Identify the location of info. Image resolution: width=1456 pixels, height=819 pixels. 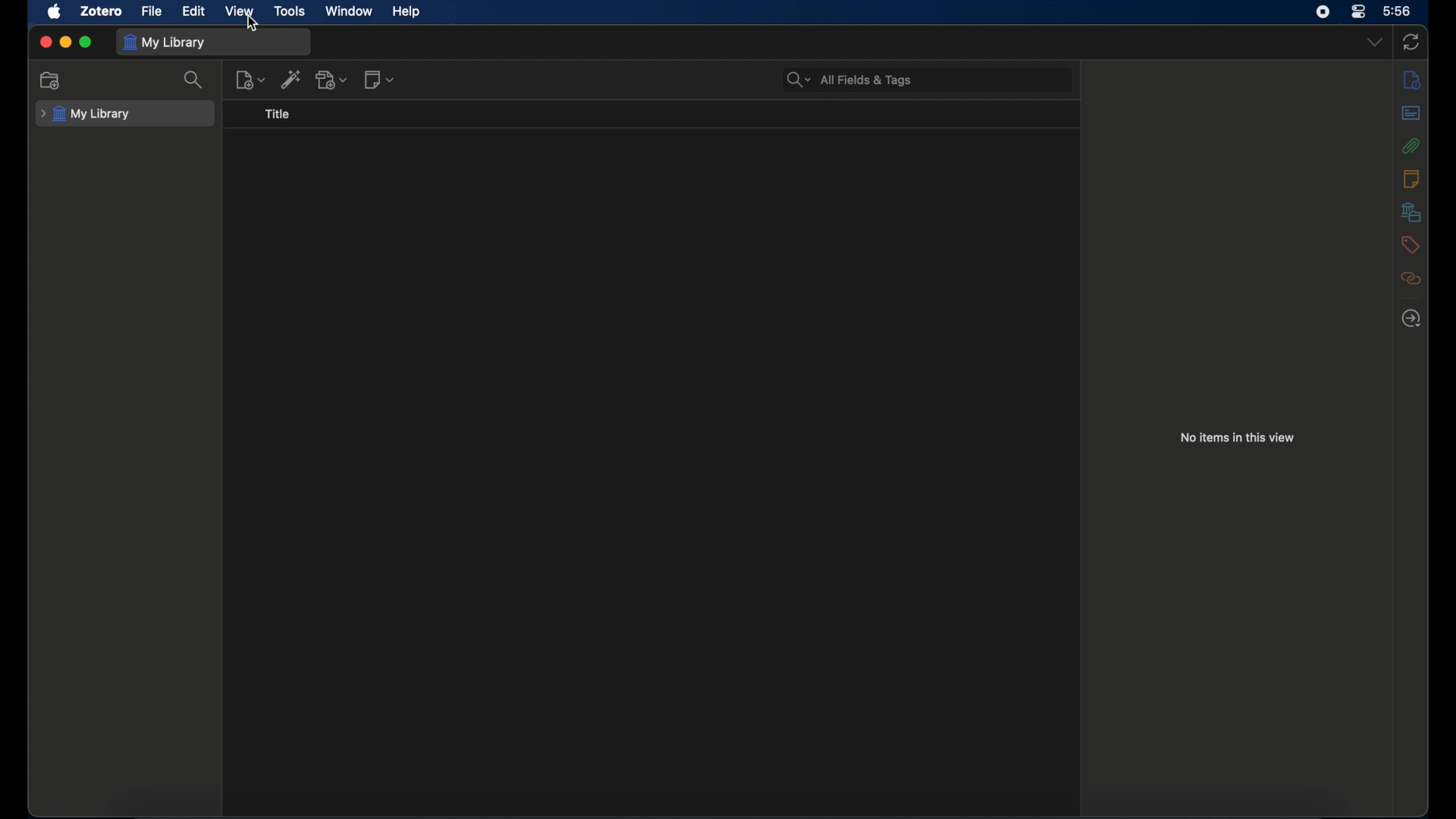
(1412, 79).